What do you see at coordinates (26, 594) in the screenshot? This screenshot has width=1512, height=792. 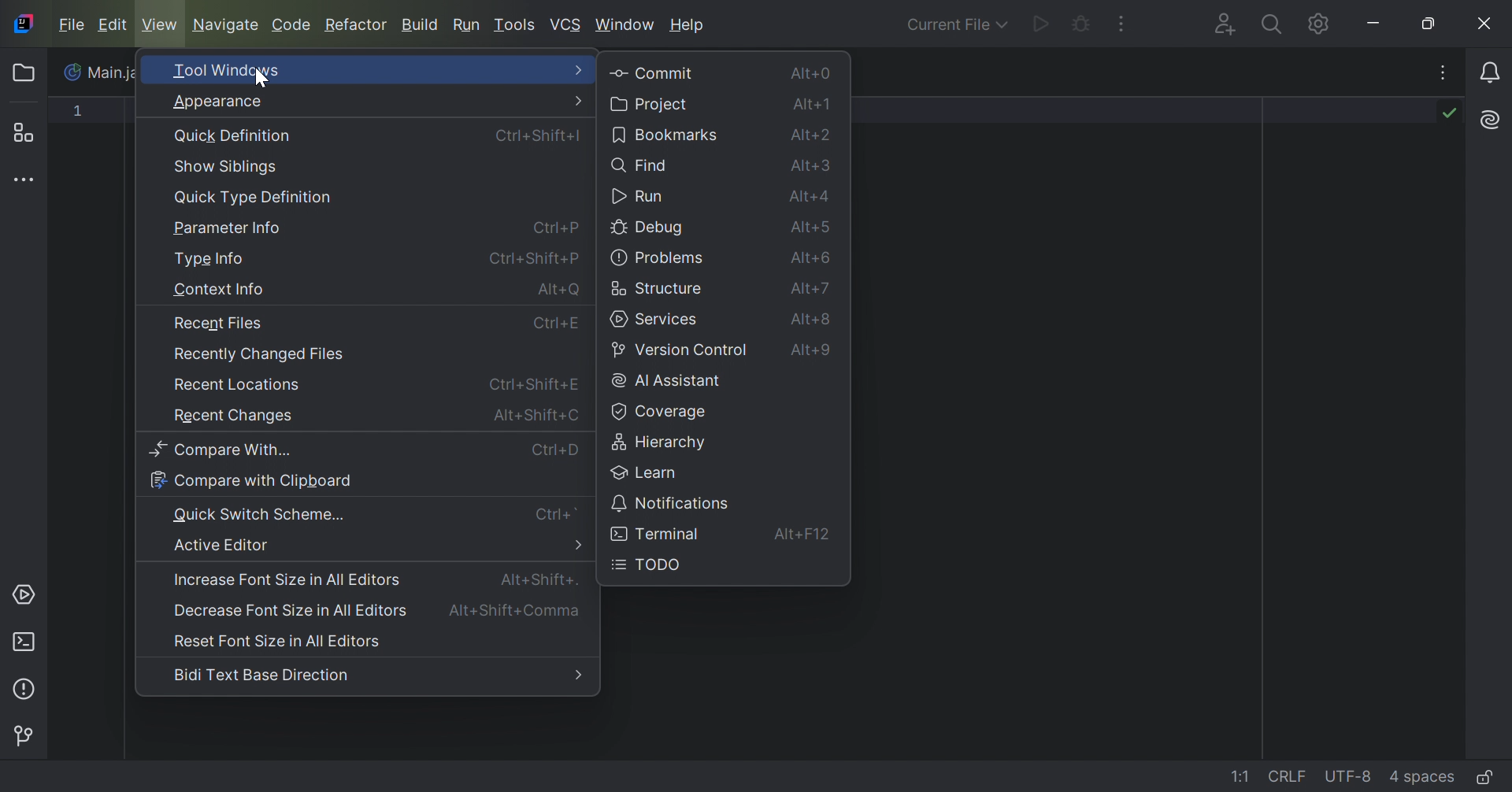 I see `Services` at bounding box center [26, 594].